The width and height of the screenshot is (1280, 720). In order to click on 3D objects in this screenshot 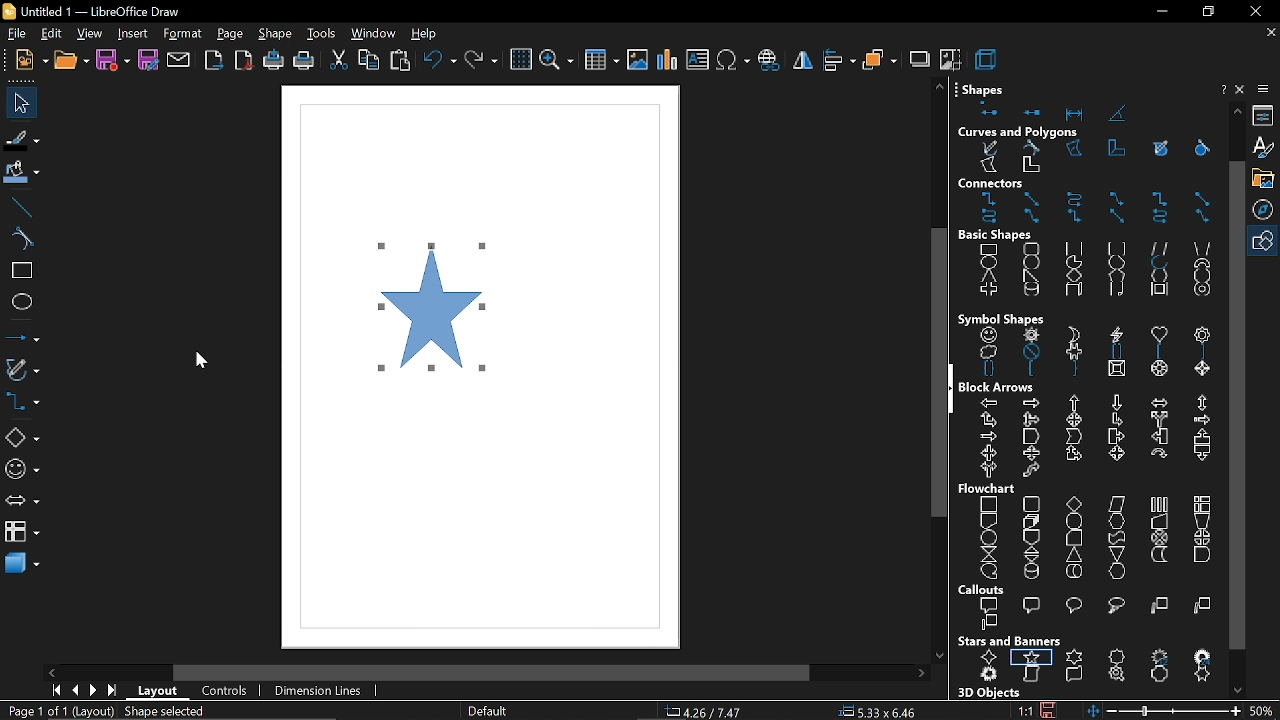, I will do `click(991, 691)`.